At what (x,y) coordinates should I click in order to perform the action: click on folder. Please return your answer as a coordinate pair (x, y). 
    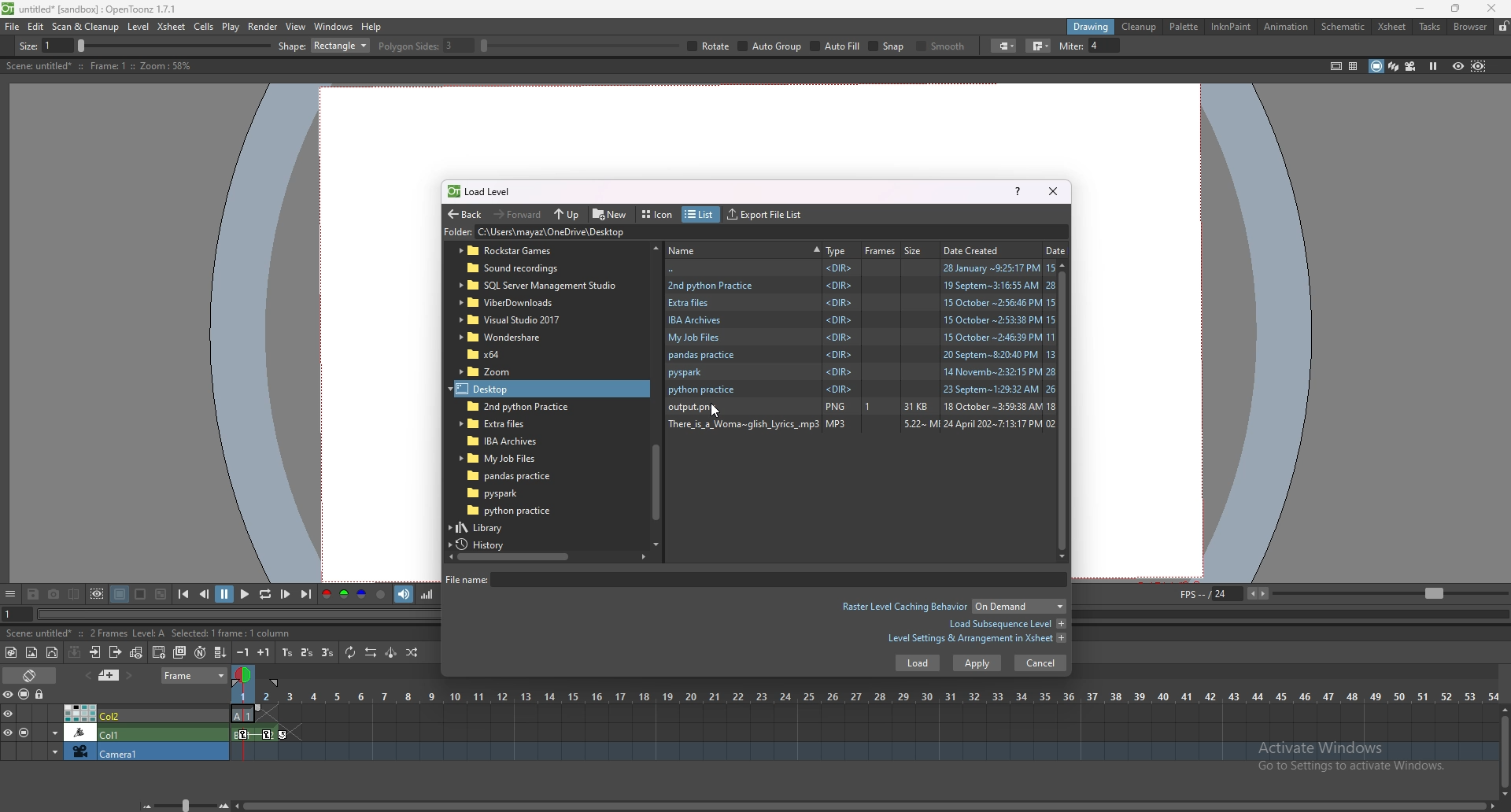
    Looking at the image, I should click on (501, 372).